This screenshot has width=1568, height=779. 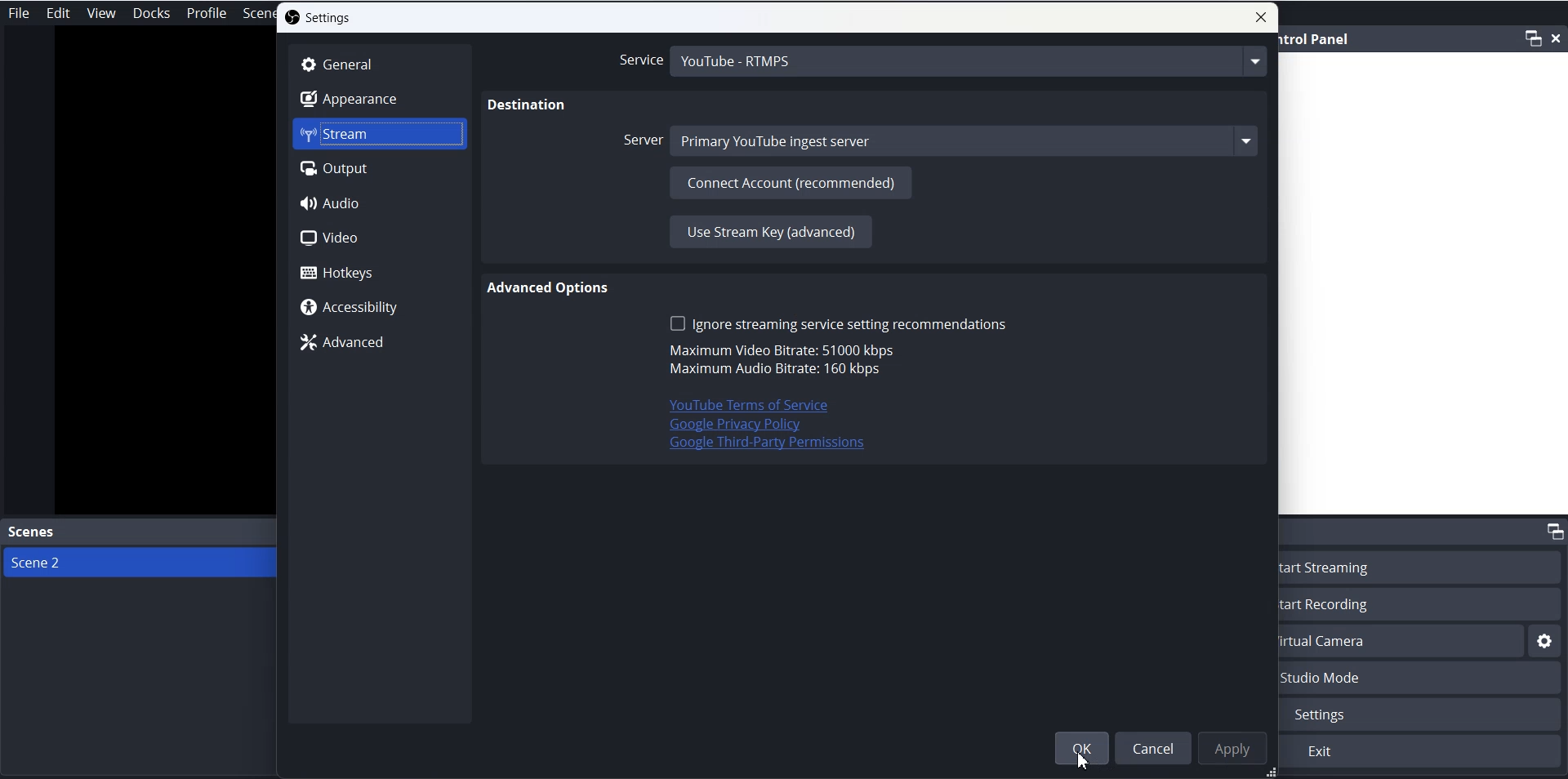 What do you see at coordinates (550, 288) in the screenshot?
I see `Advanced options` at bounding box center [550, 288].